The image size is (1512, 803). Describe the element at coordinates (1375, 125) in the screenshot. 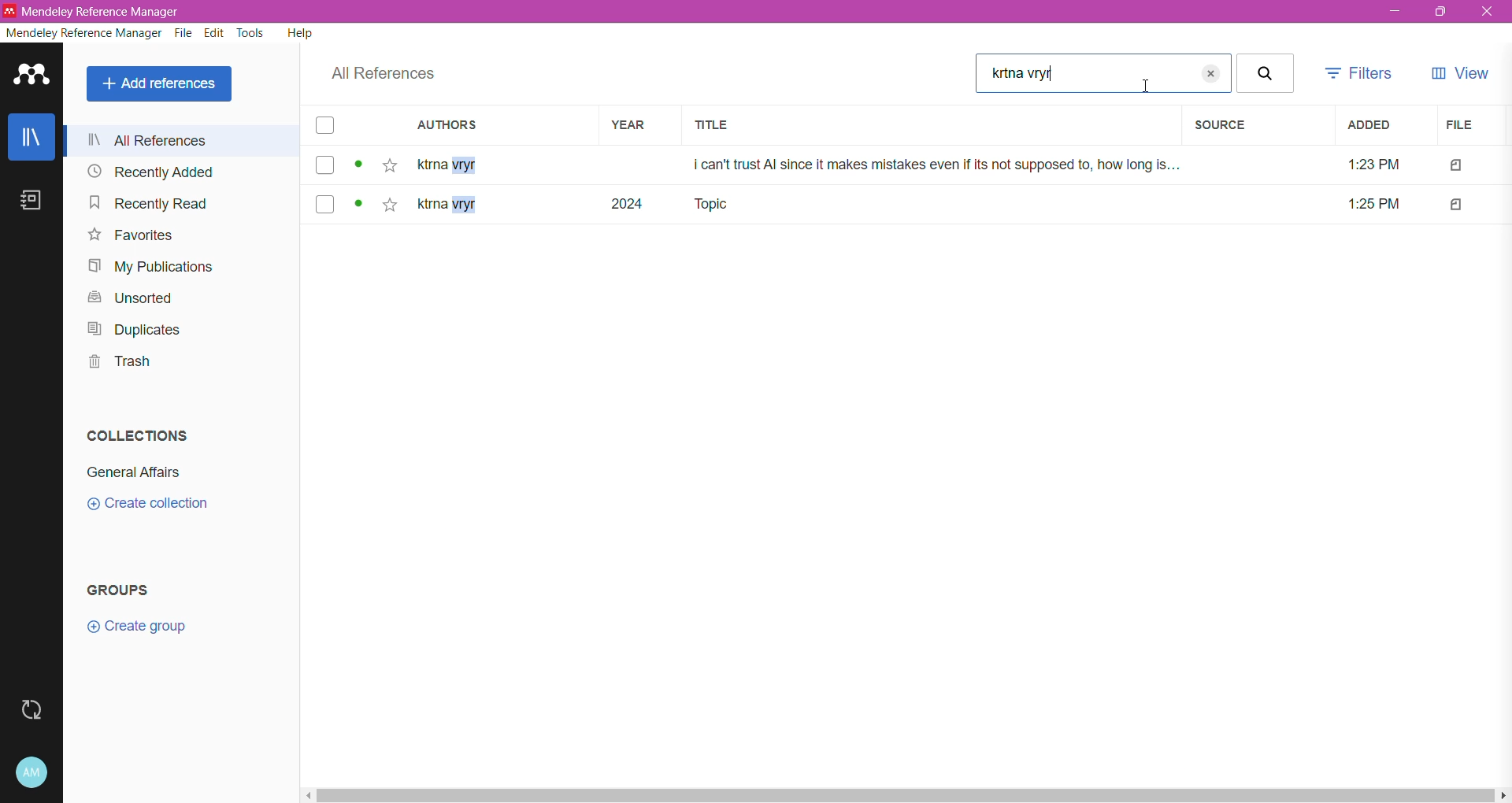

I see `Added` at that location.